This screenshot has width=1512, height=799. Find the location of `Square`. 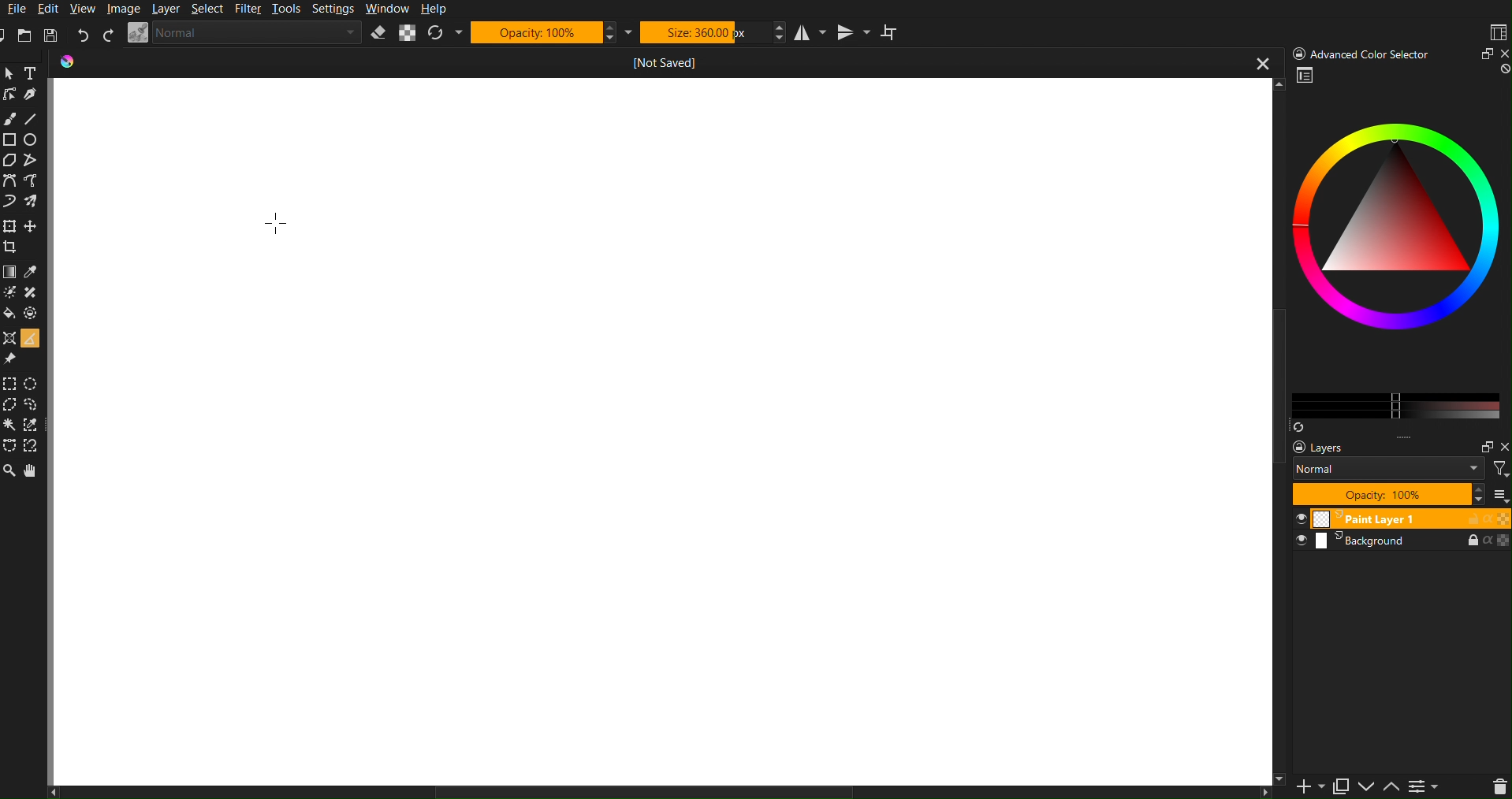

Square is located at coordinates (10, 139).